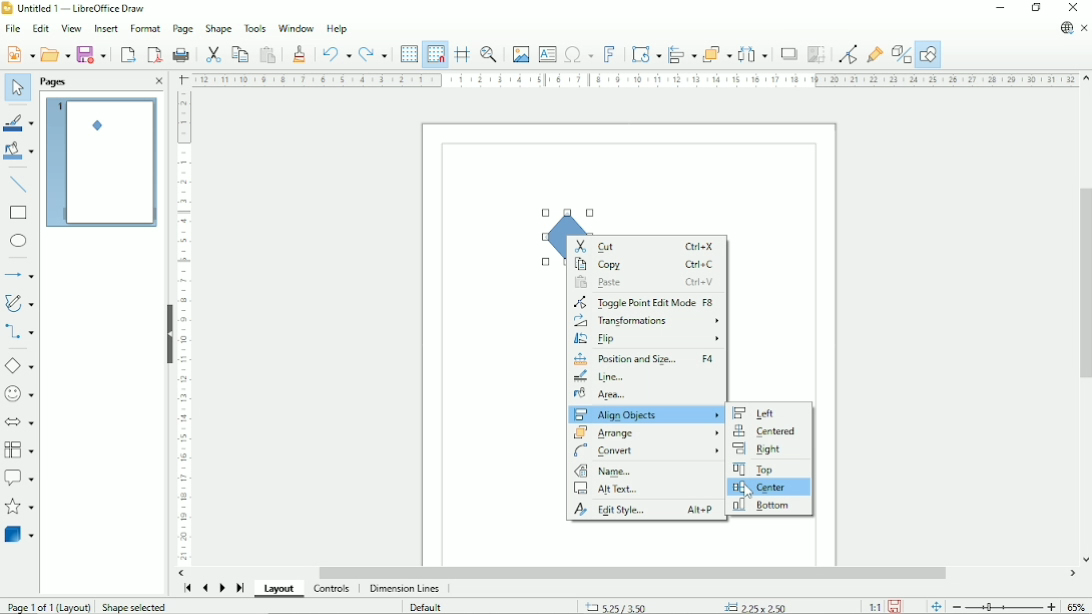 The width and height of the screenshot is (1092, 614). What do you see at coordinates (20, 122) in the screenshot?
I see `Line color` at bounding box center [20, 122].